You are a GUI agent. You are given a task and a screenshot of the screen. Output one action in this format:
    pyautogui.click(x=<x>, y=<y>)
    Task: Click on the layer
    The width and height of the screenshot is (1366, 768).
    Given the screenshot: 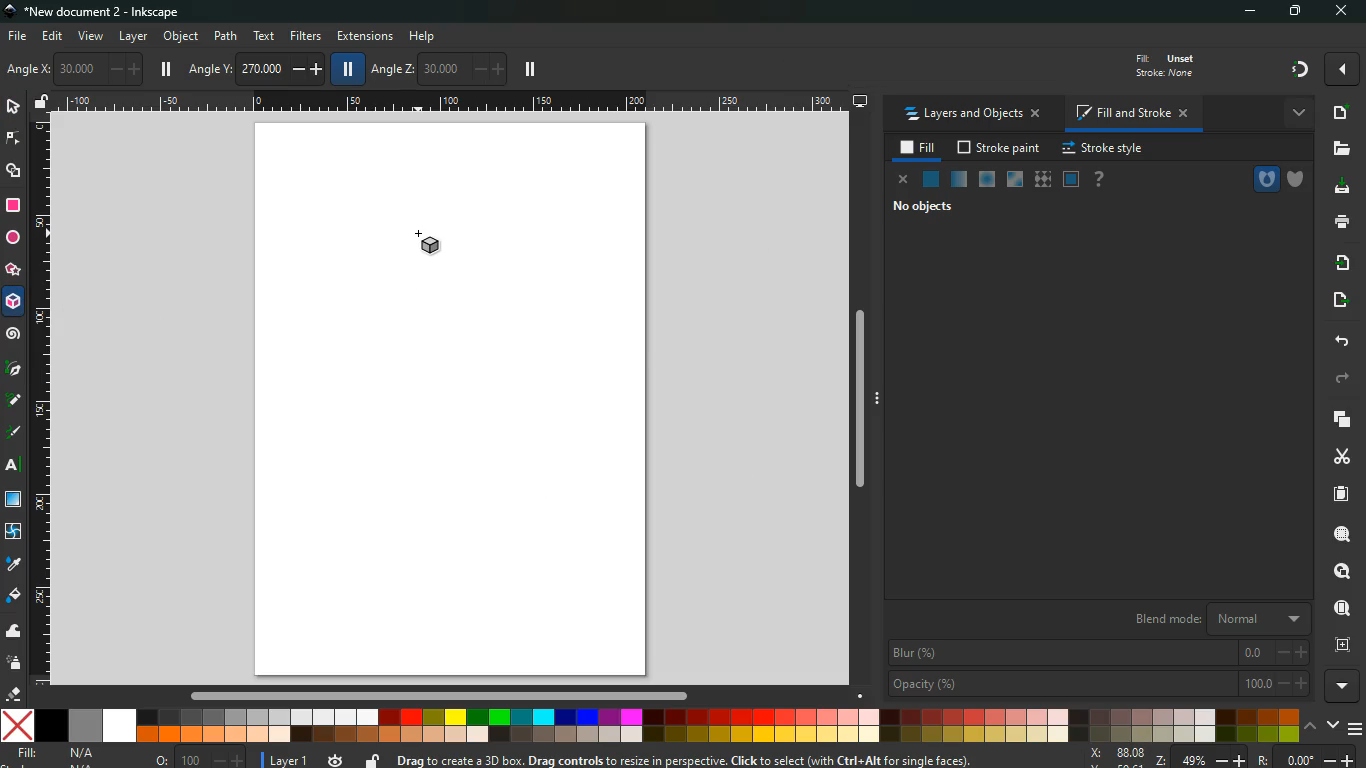 What is the action you would take?
    pyautogui.click(x=134, y=37)
    